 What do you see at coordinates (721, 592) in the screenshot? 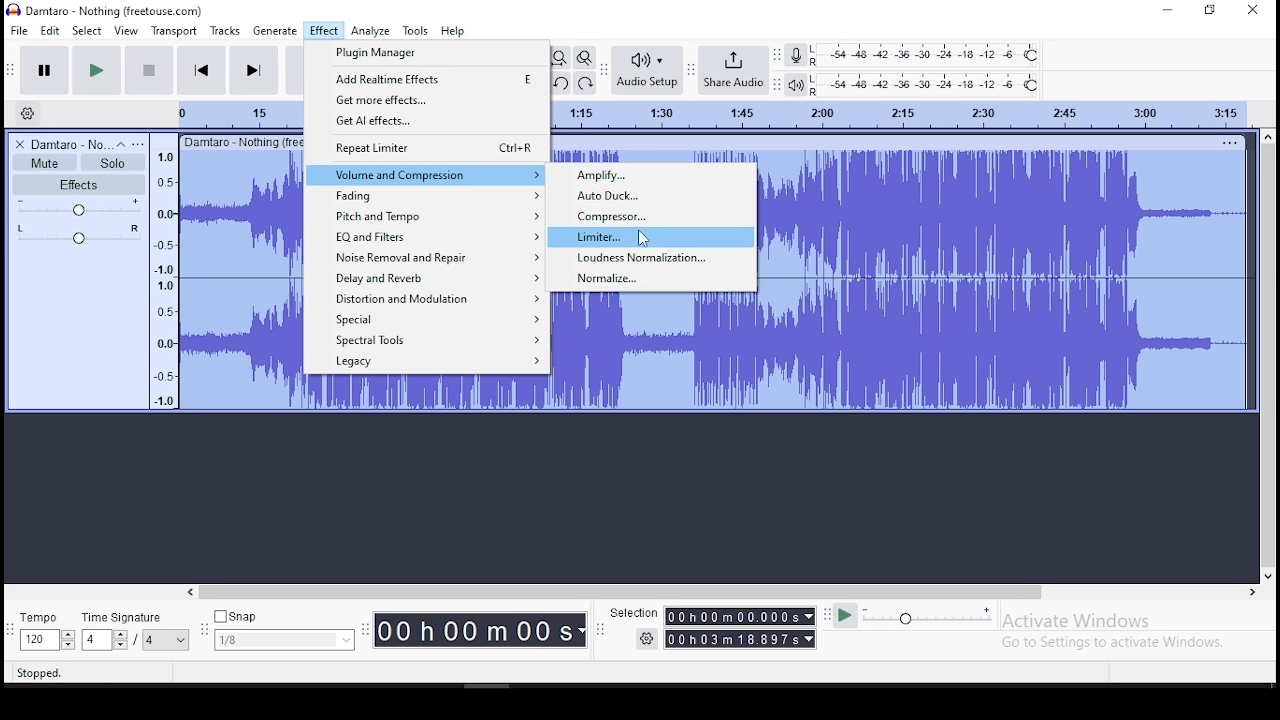
I see `scroll bar` at bounding box center [721, 592].